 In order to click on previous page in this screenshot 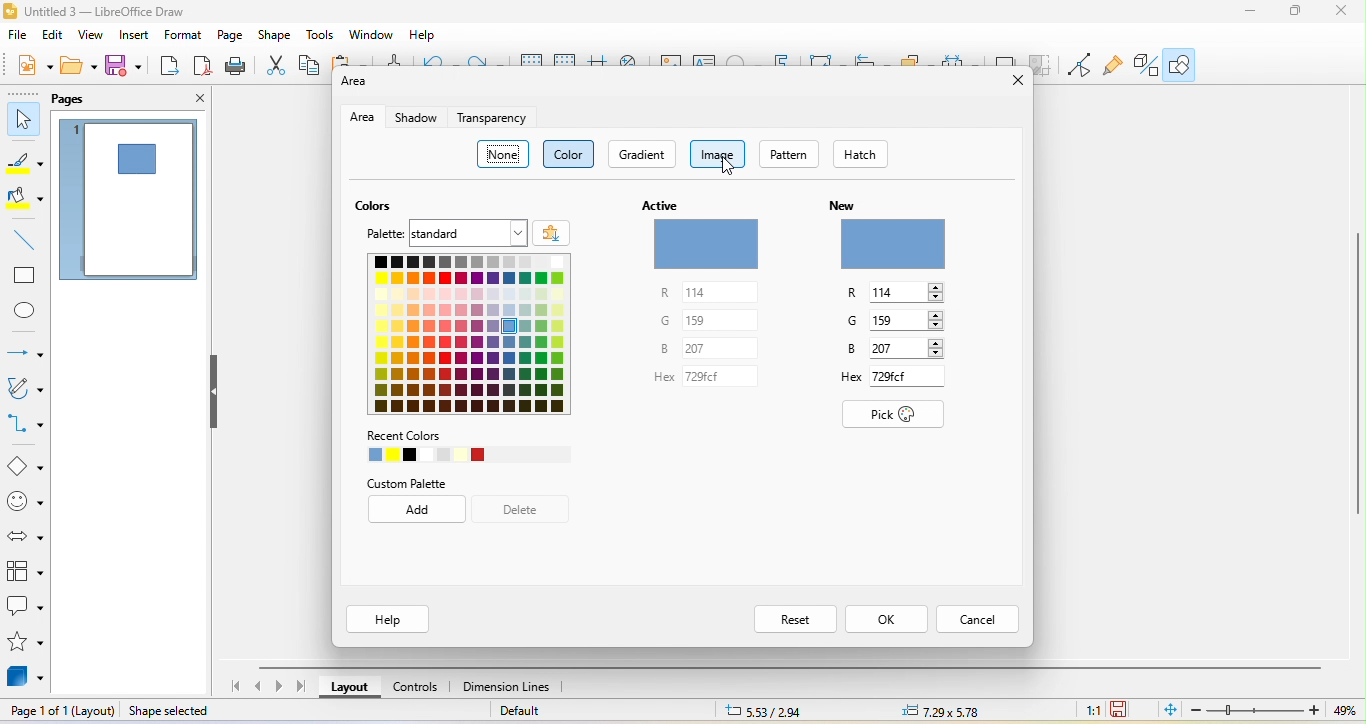, I will do `click(260, 687)`.